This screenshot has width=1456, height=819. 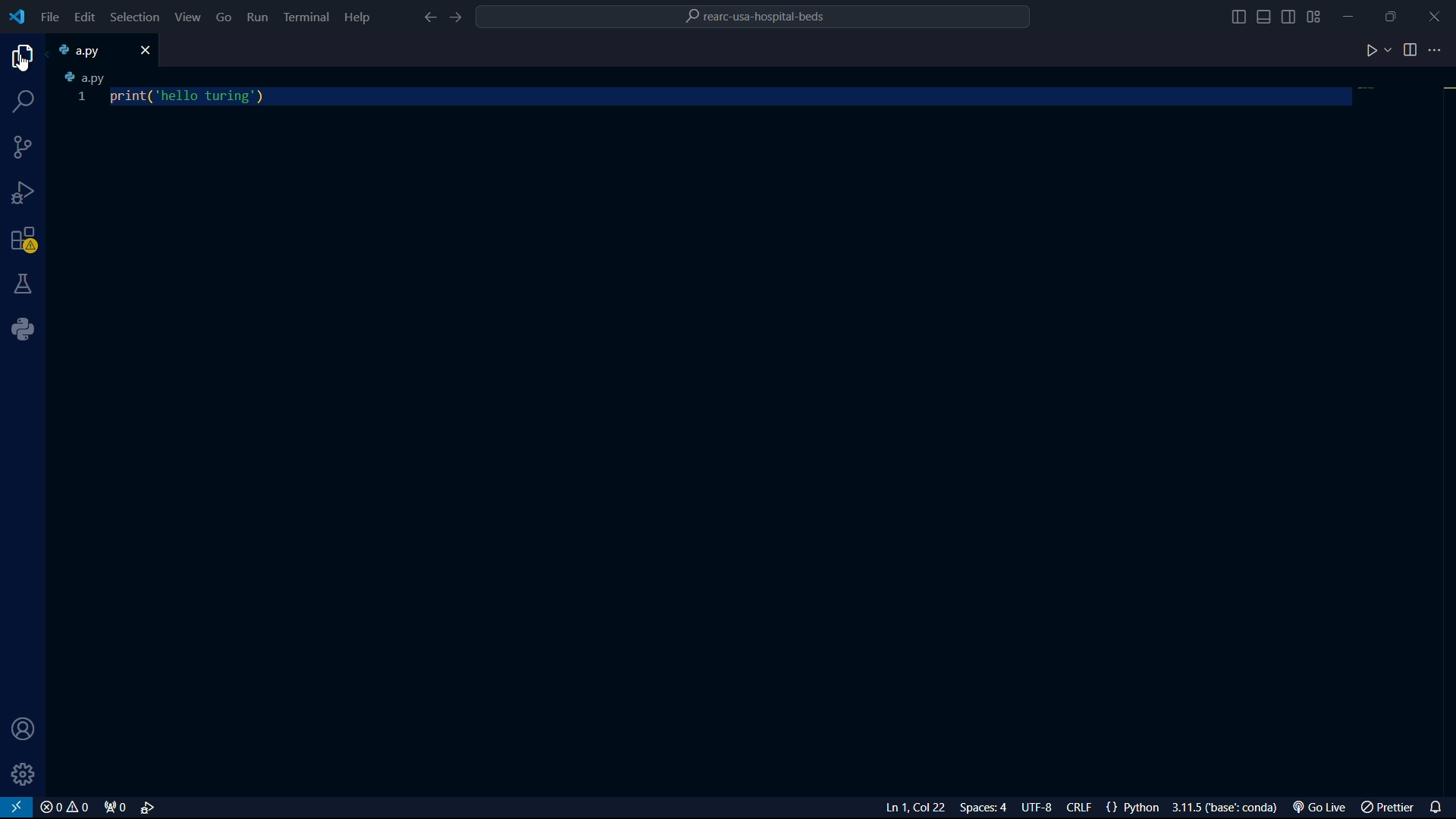 What do you see at coordinates (49, 17) in the screenshot?
I see `file menu` at bounding box center [49, 17].